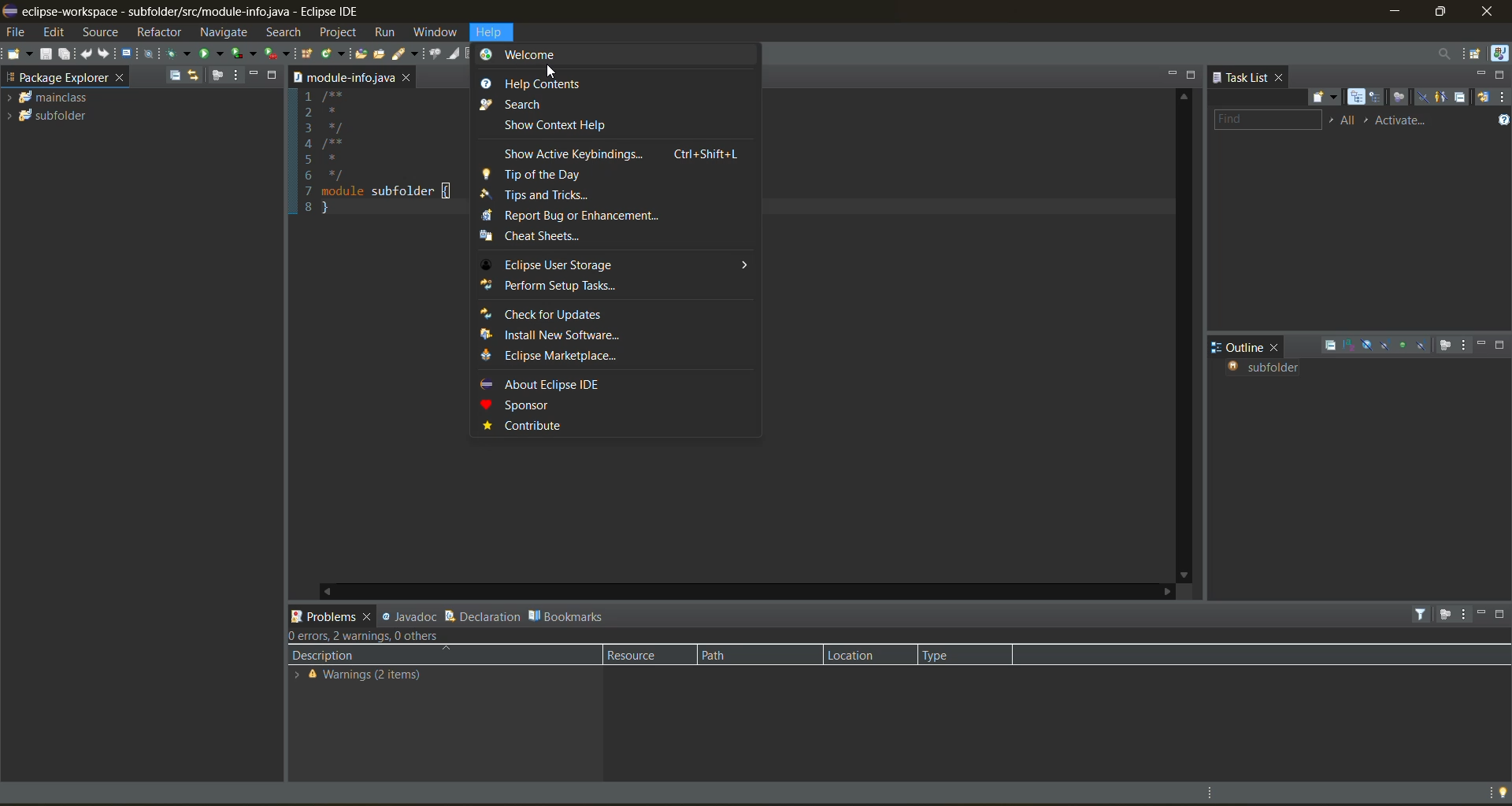 Image resolution: width=1512 pixels, height=806 pixels. Describe the element at coordinates (107, 53) in the screenshot. I see `redo` at that location.